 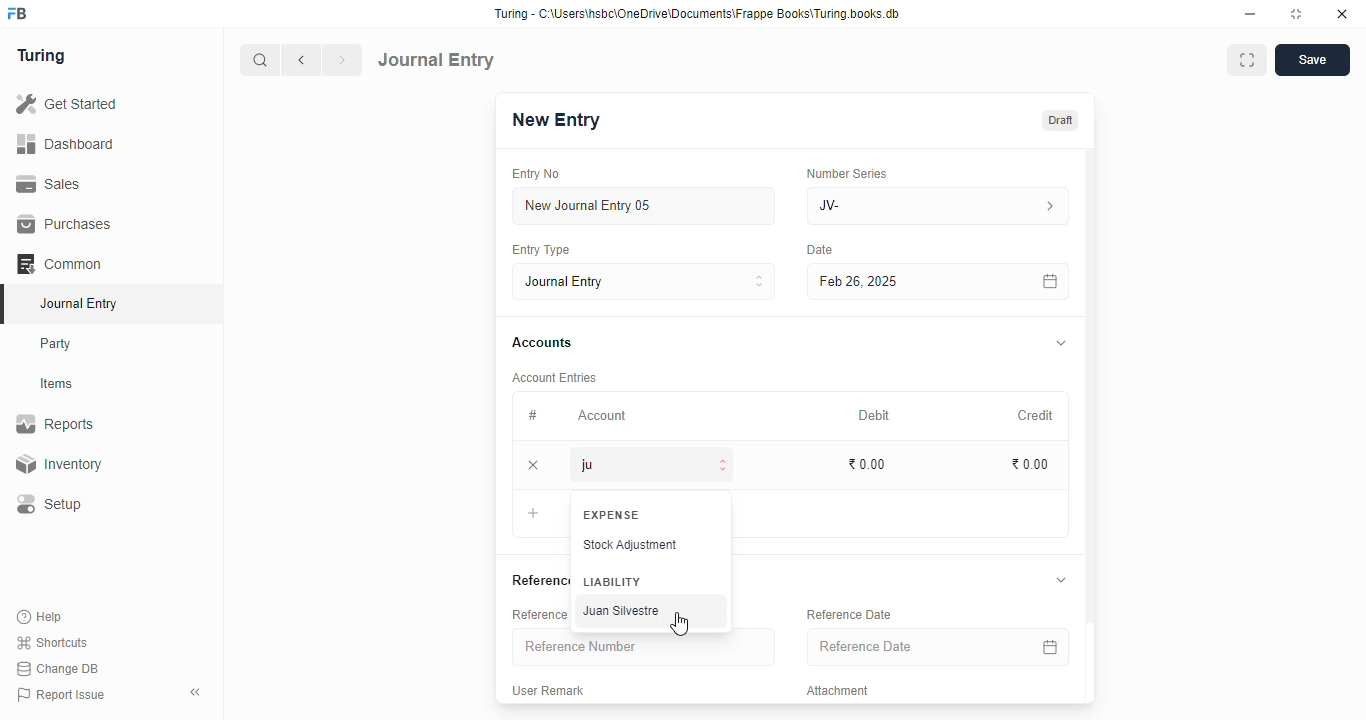 What do you see at coordinates (61, 695) in the screenshot?
I see `report issue` at bounding box center [61, 695].